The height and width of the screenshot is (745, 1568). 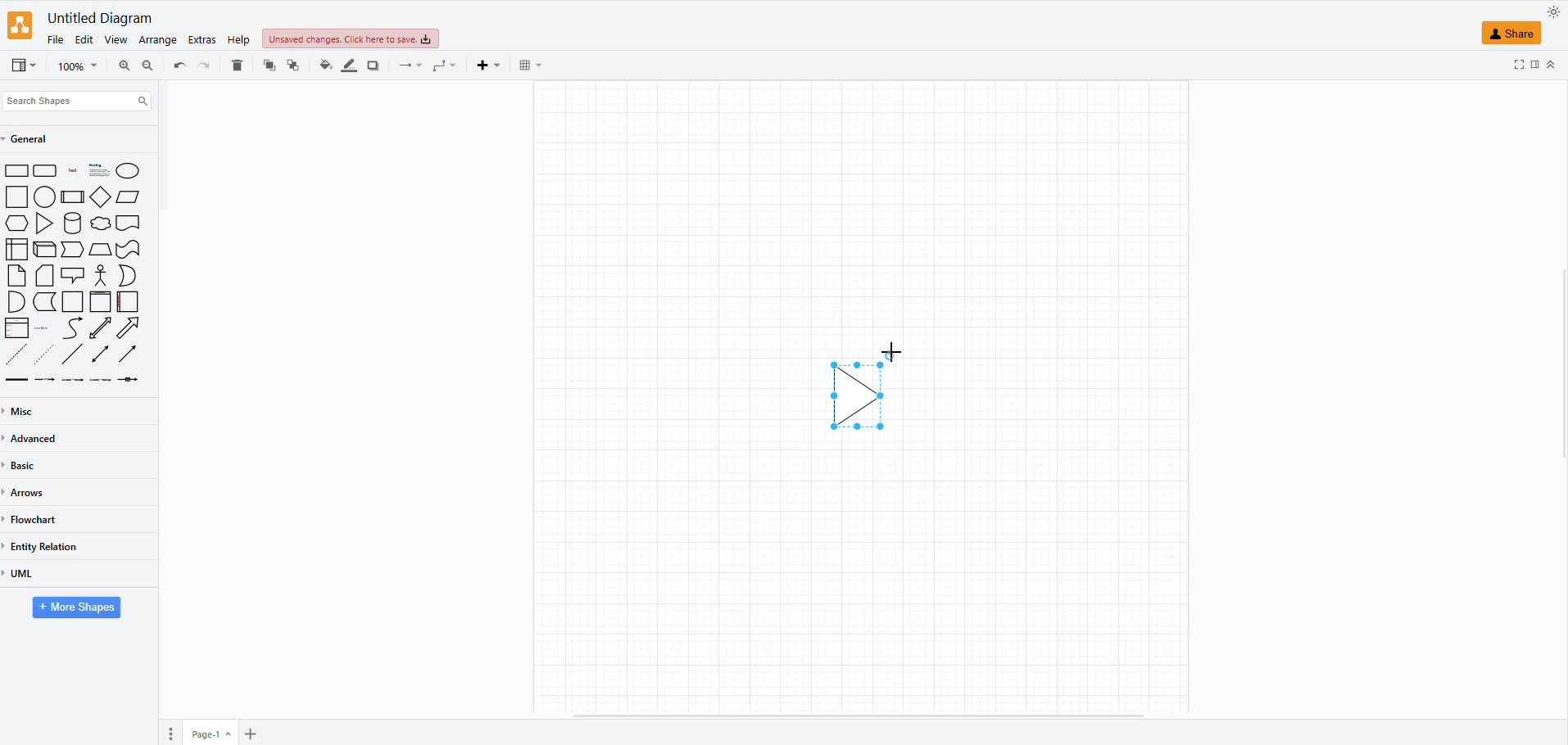 I want to click on Rectangle, so click(x=17, y=171).